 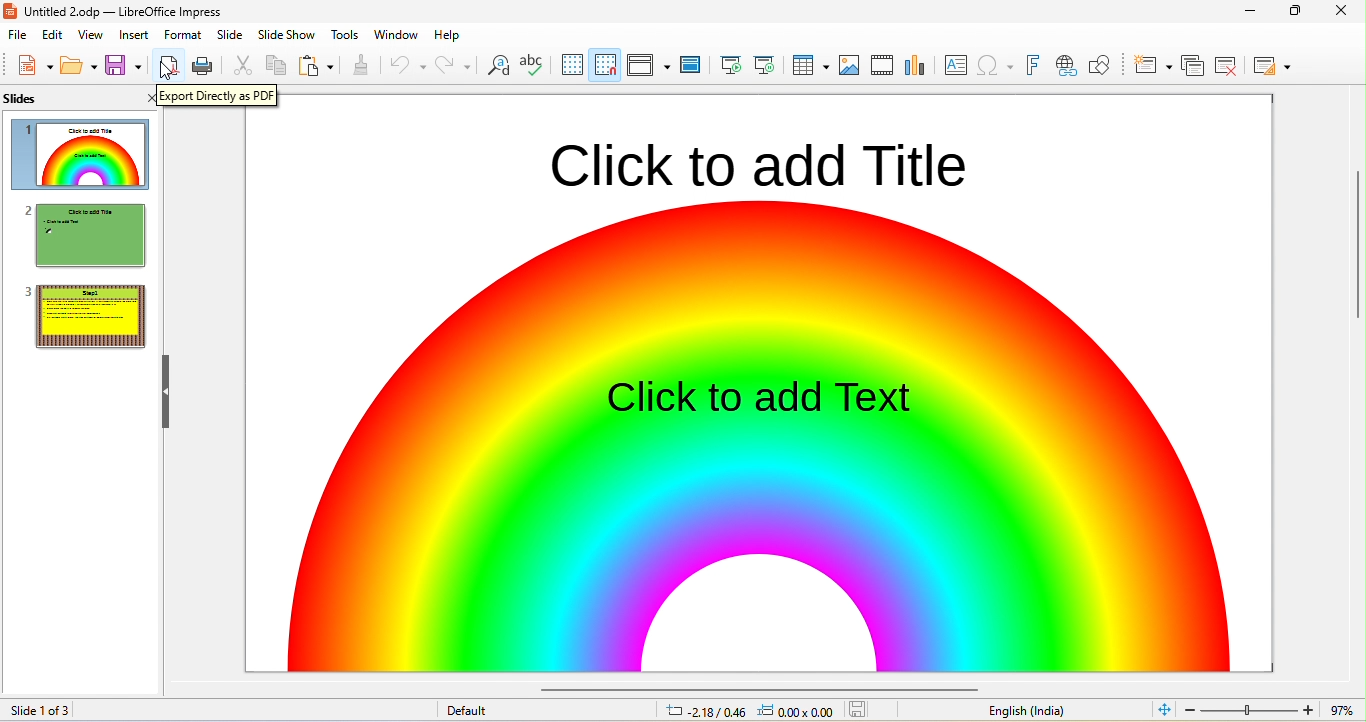 I want to click on insert, so click(x=135, y=36).